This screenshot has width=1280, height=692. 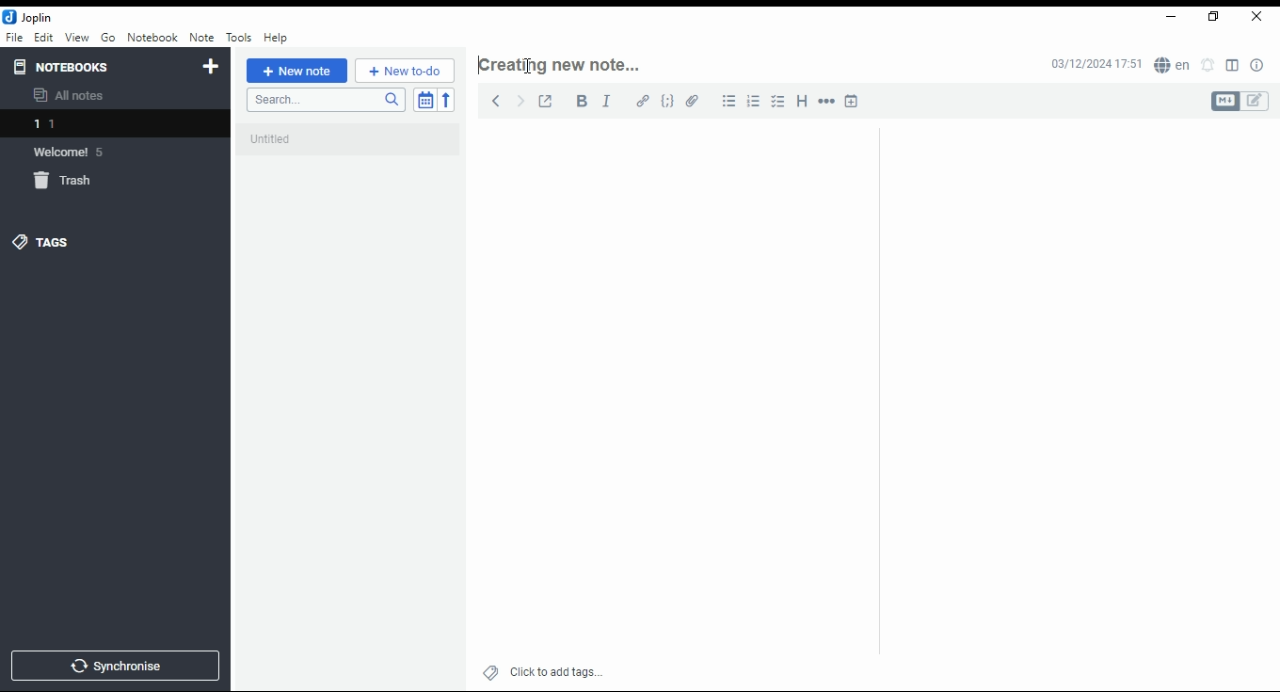 I want to click on italics, so click(x=607, y=100).